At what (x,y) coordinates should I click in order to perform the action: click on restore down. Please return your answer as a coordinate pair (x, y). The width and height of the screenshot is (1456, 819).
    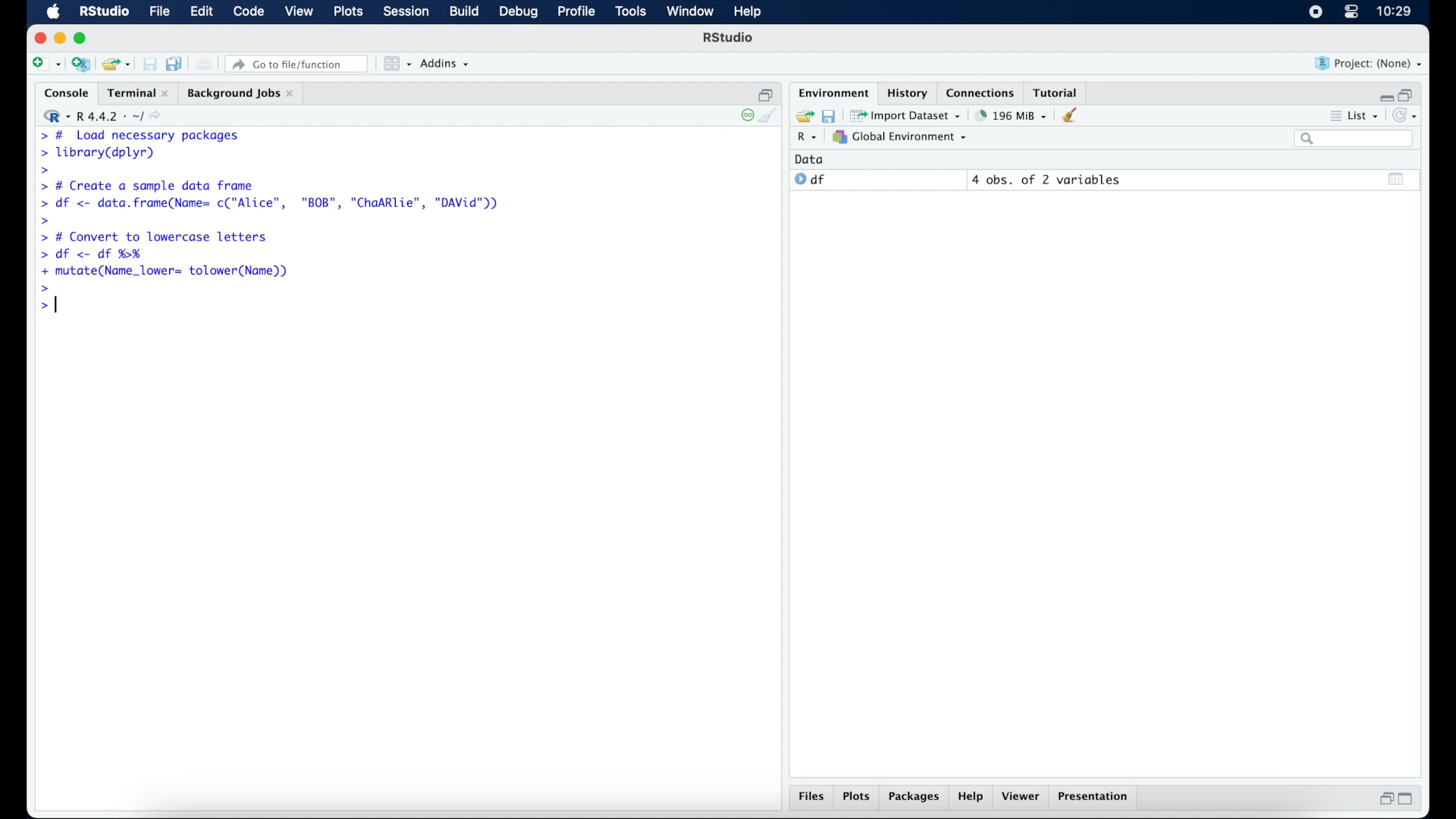
    Looking at the image, I should click on (1384, 800).